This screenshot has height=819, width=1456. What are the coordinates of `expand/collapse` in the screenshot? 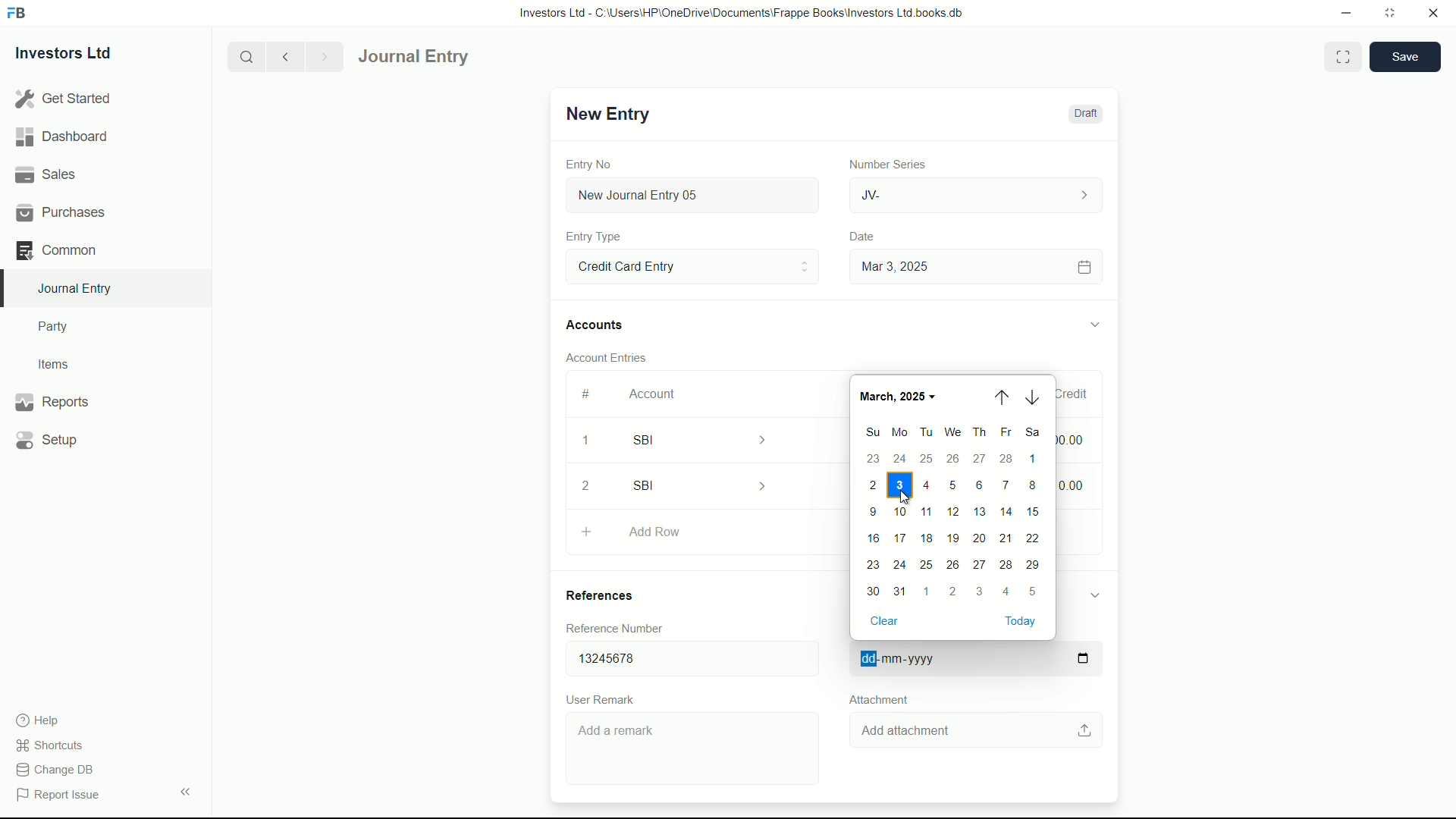 It's located at (1094, 594).